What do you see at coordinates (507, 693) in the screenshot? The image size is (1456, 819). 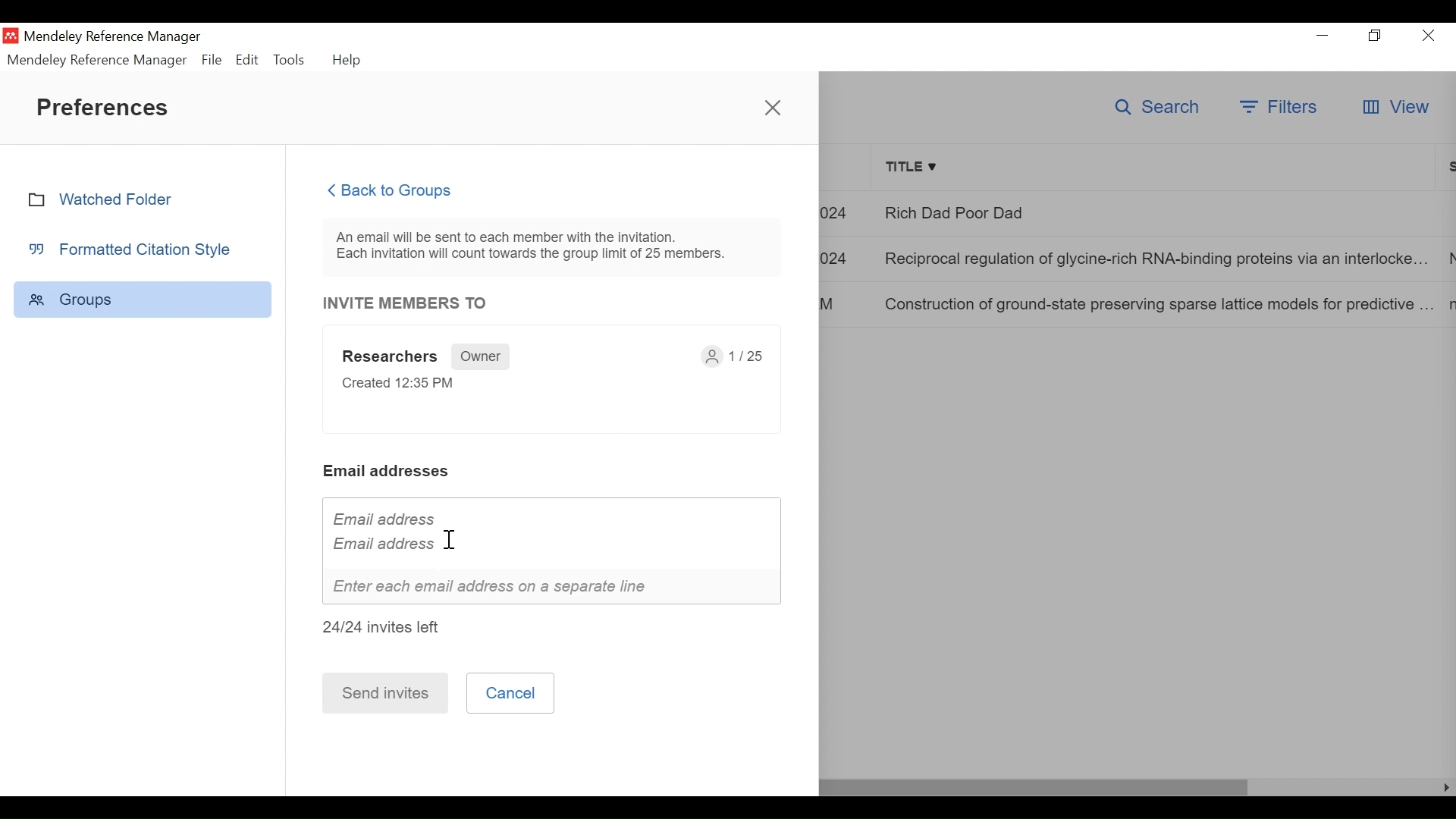 I see `Cancel` at bounding box center [507, 693].